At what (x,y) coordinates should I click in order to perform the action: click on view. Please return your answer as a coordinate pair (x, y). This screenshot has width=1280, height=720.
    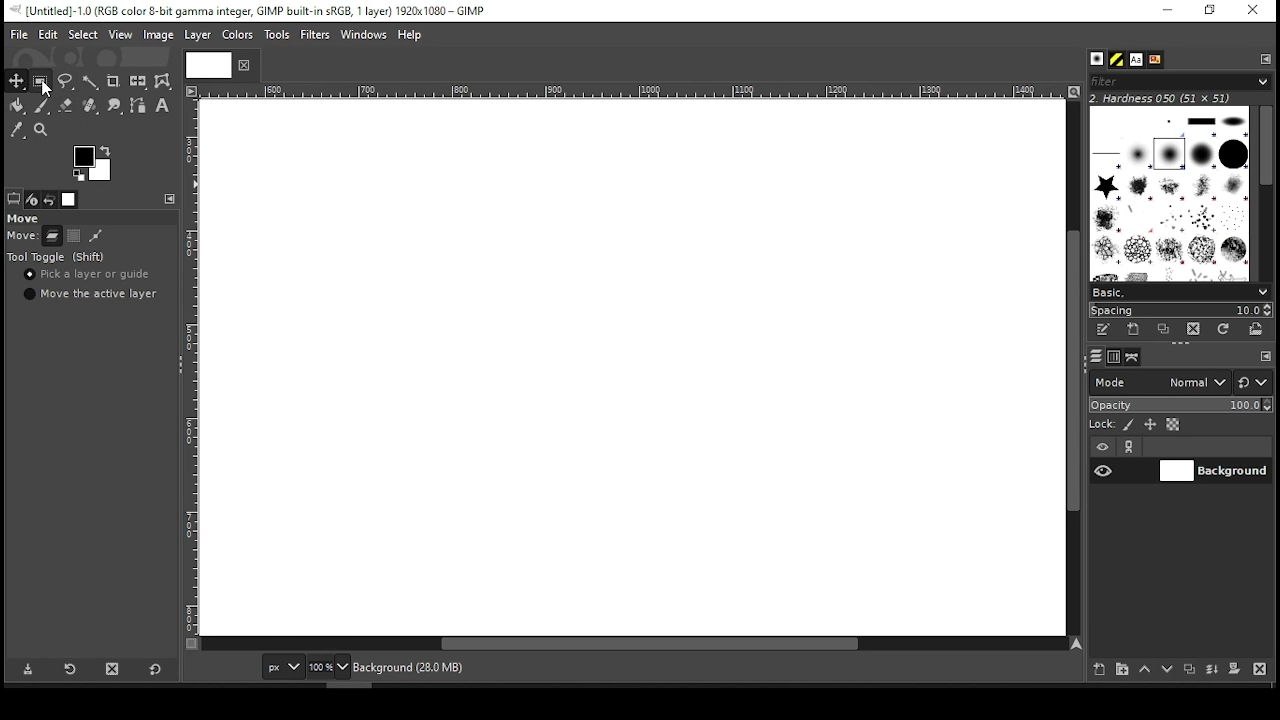
    Looking at the image, I should click on (121, 36).